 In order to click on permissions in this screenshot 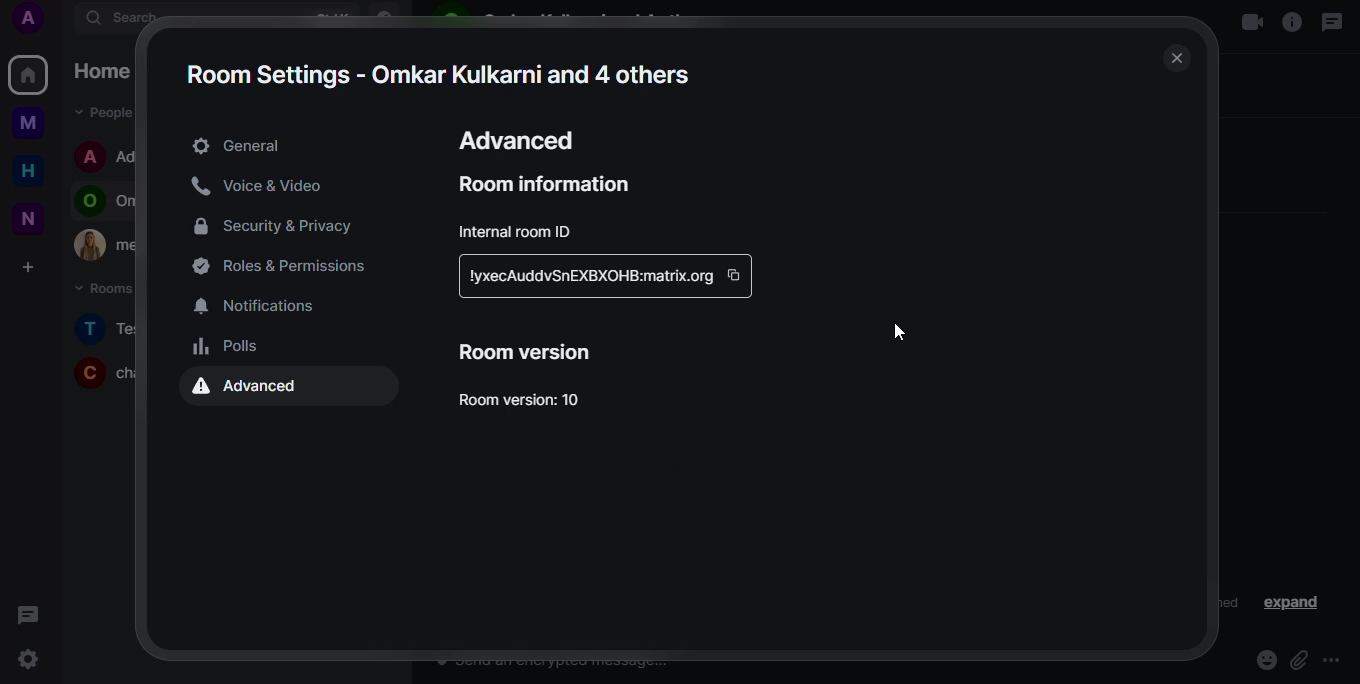, I will do `click(288, 263)`.